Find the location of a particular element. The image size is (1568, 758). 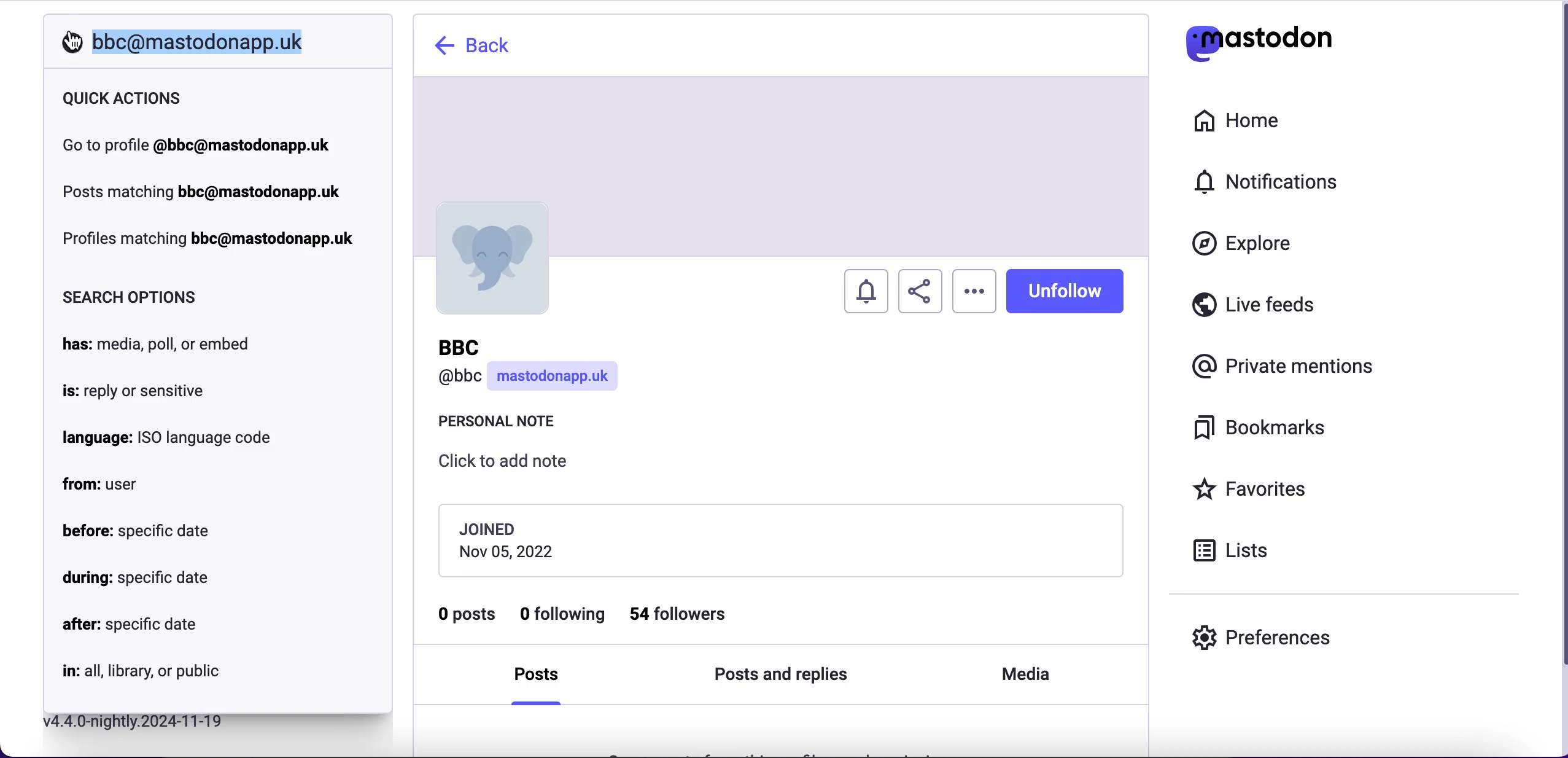

preferences is located at coordinates (1262, 637).